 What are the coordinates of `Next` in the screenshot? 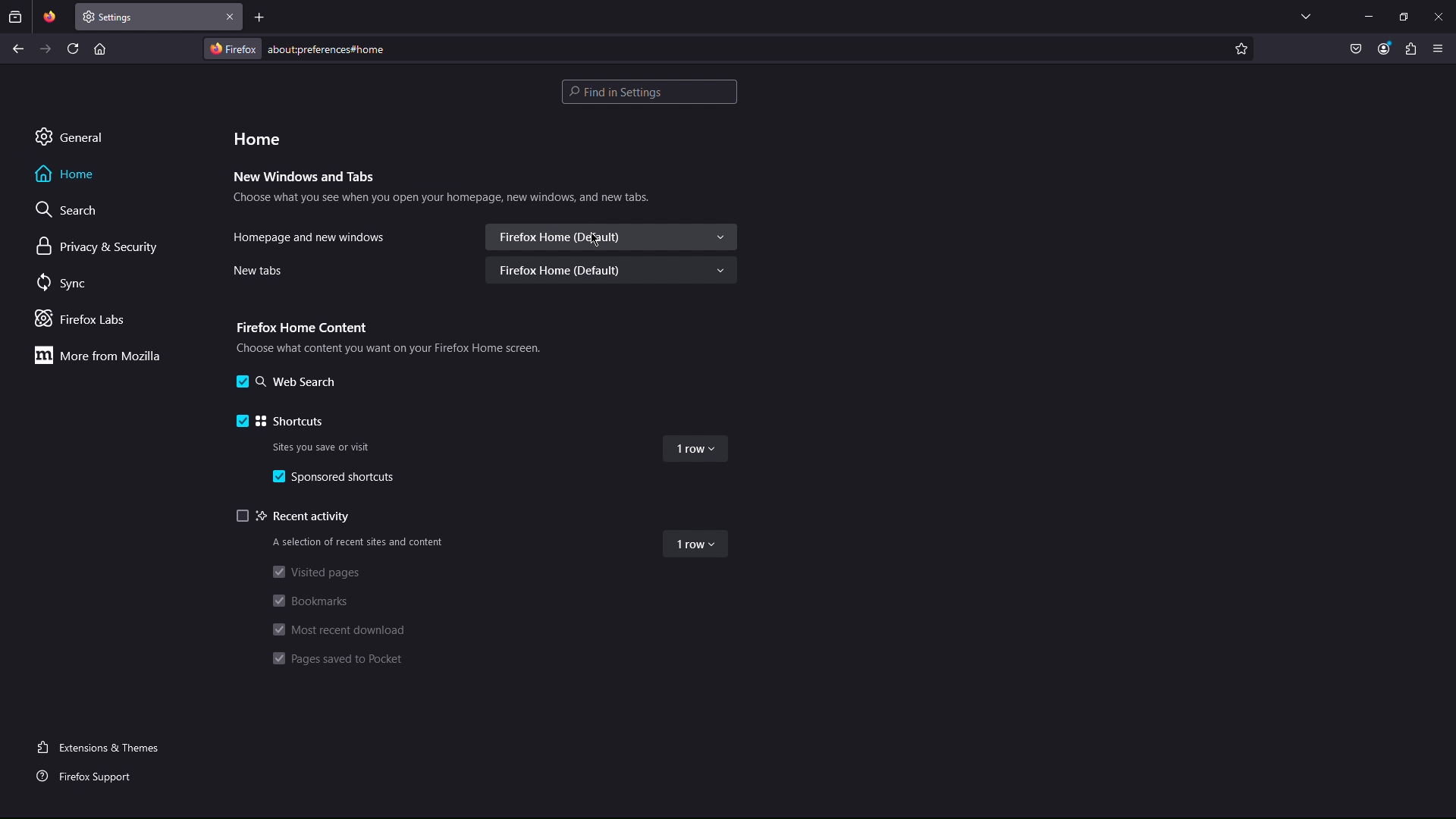 It's located at (46, 49).